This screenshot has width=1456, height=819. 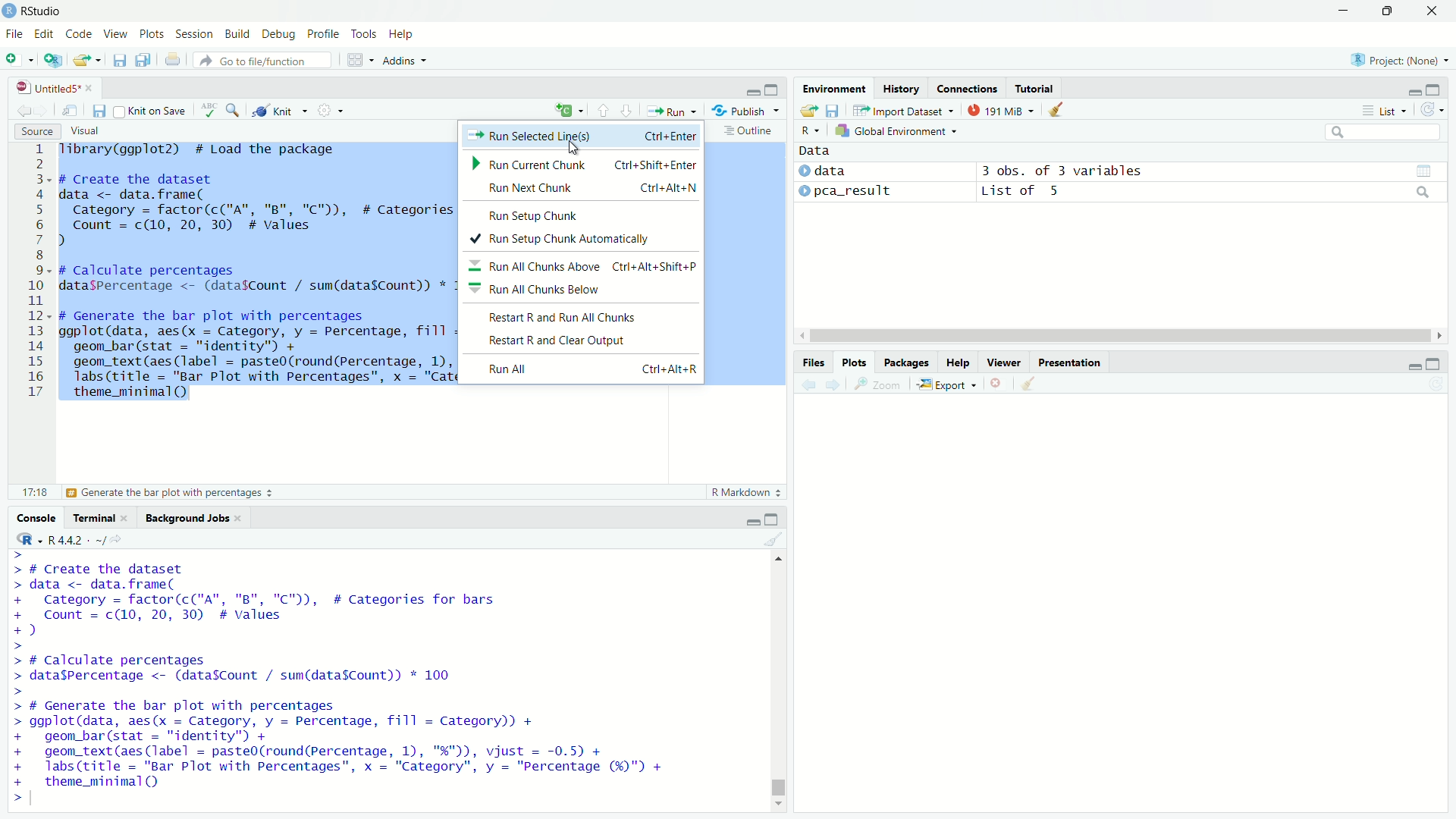 I want to click on vertical scrollbar, so click(x=776, y=762).